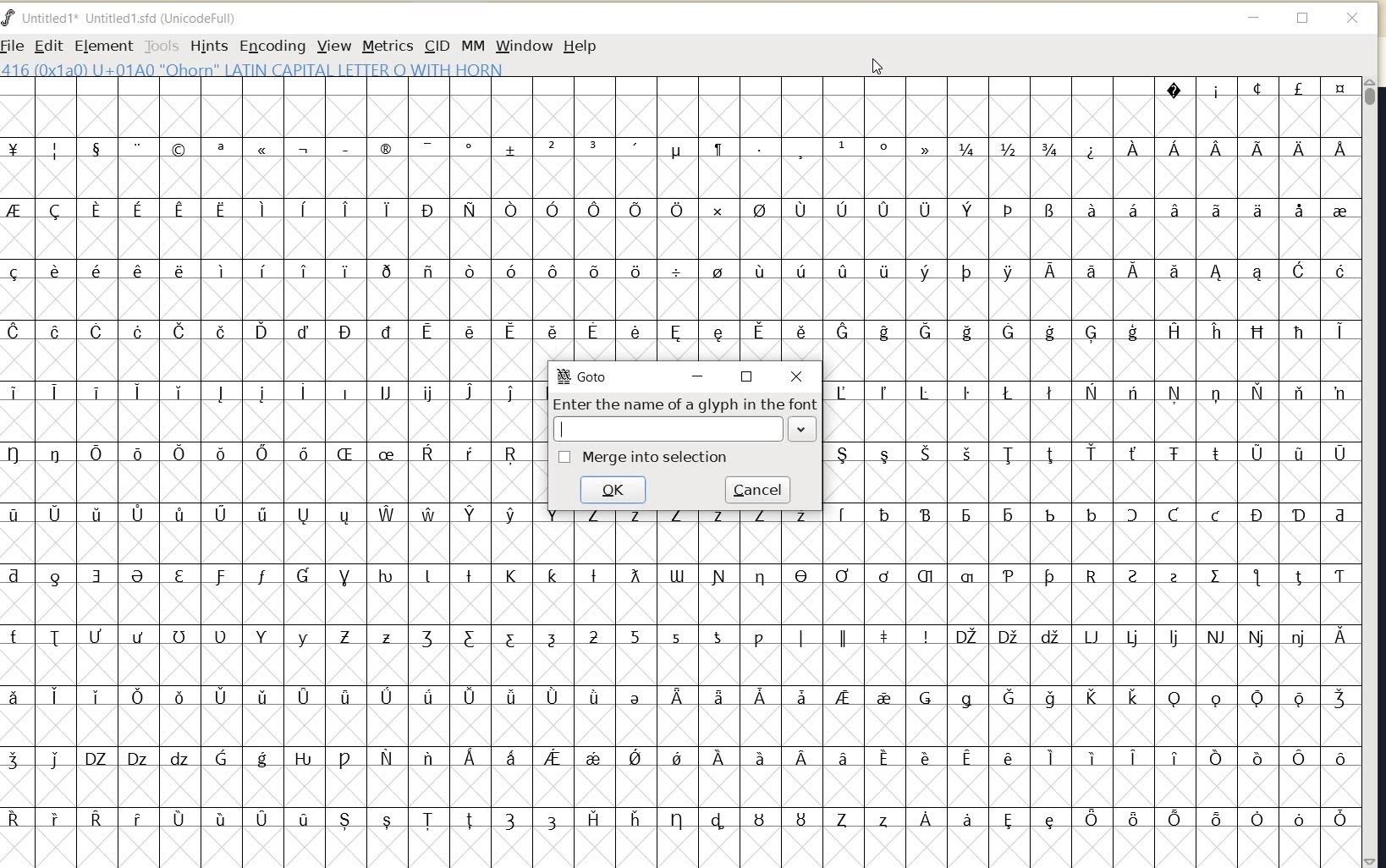 The image size is (1386, 868). What do you see at coordinates (1354, 19) in the screenshot?
I see `CLOSE` at bounding box center [1354, 19].